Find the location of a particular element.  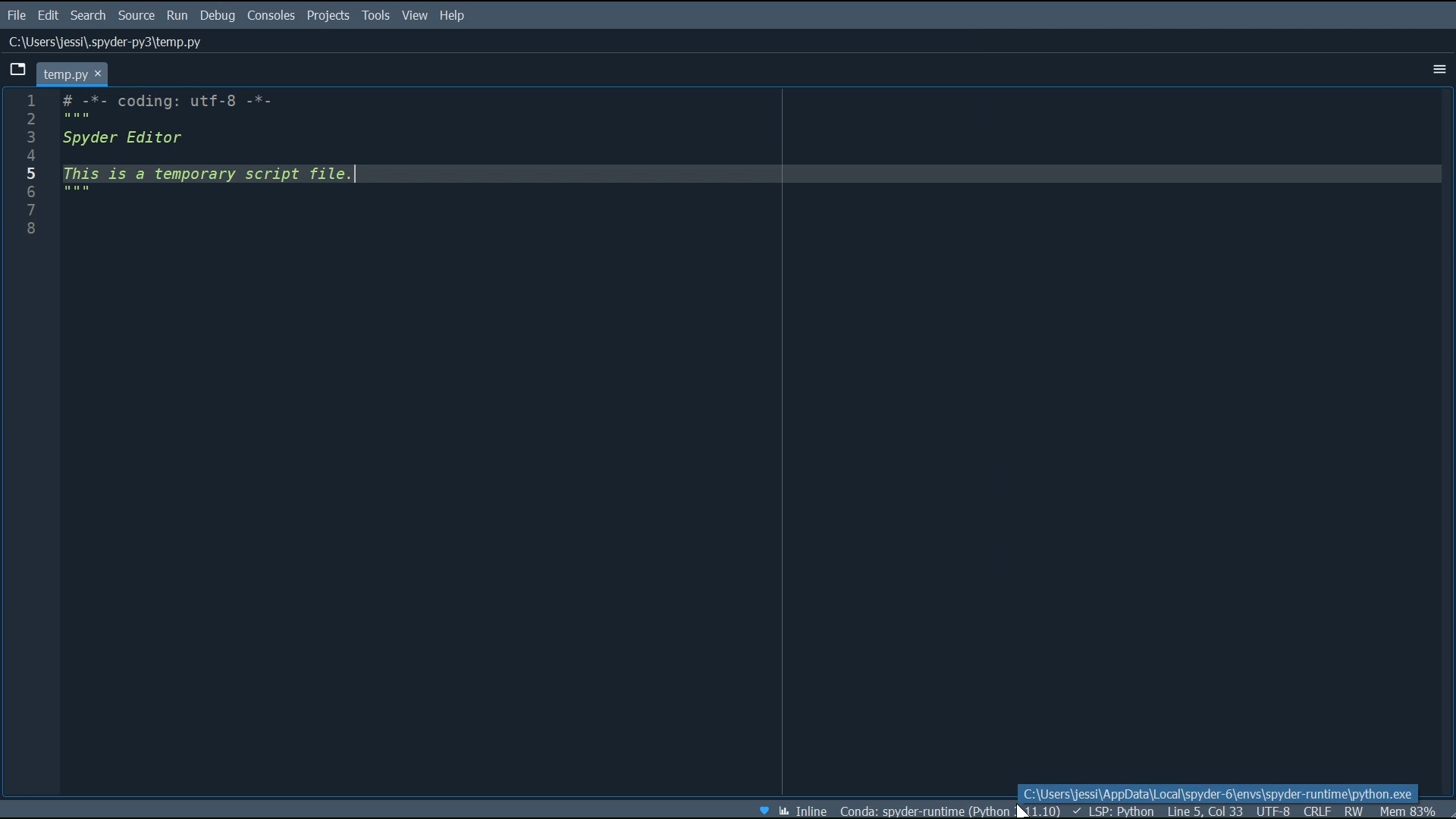

Projects is located at coordinates (327, 17).